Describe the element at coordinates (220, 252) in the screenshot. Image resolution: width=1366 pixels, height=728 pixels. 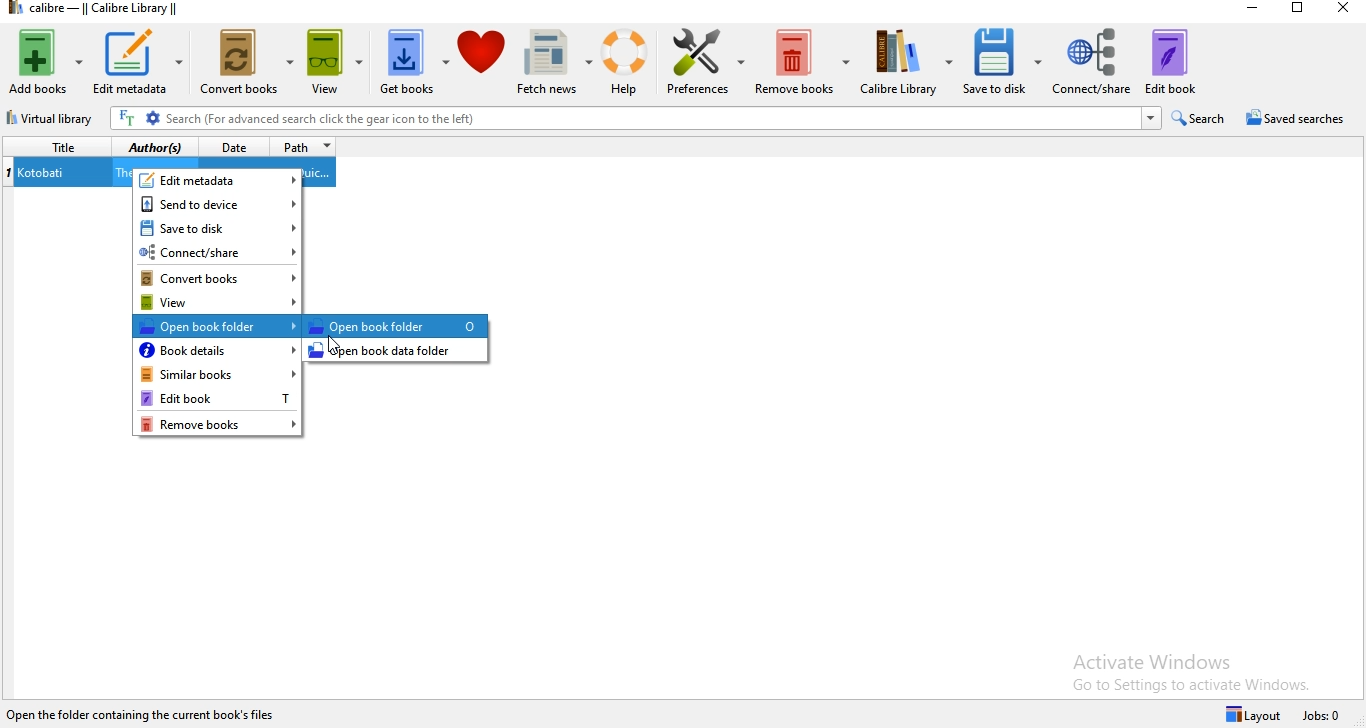
I see `connect/share` at that location.